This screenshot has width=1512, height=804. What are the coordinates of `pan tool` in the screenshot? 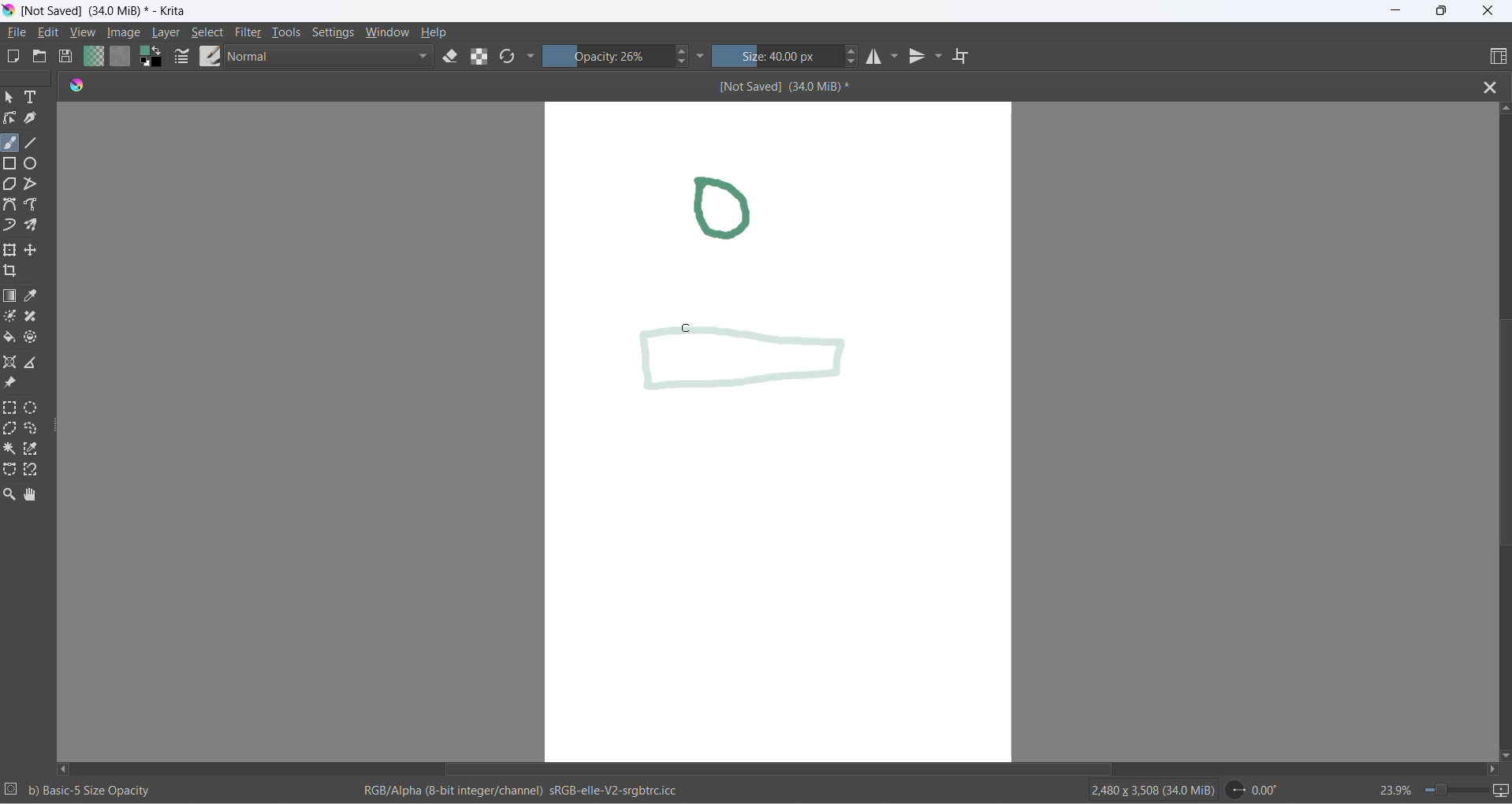 It's located at (32, 492).